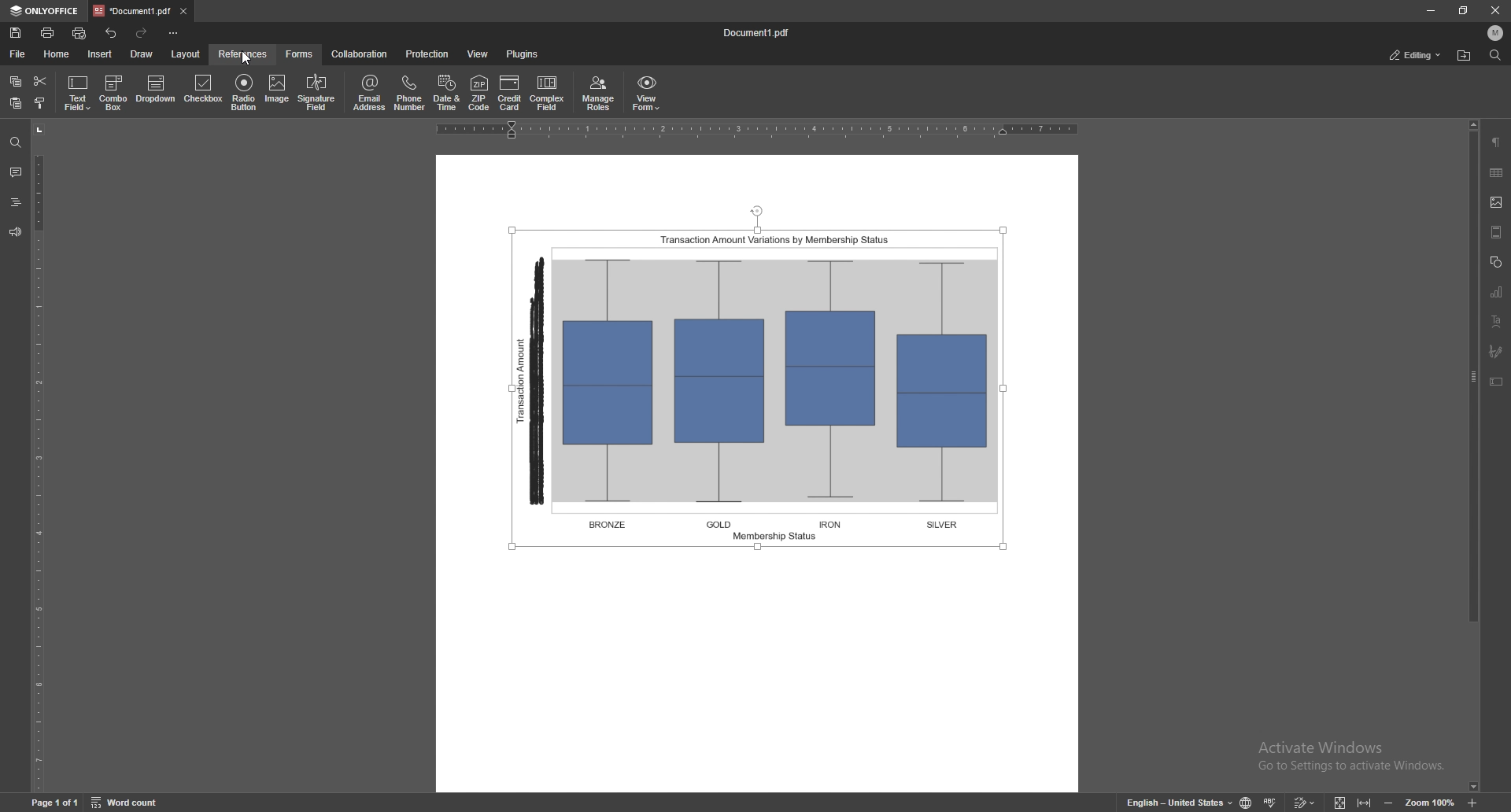 The height and width of the screenshot is (812, 1511). Describe the element at coordinates (1178, 800) in the screenshot. I see `change text language` at that location.